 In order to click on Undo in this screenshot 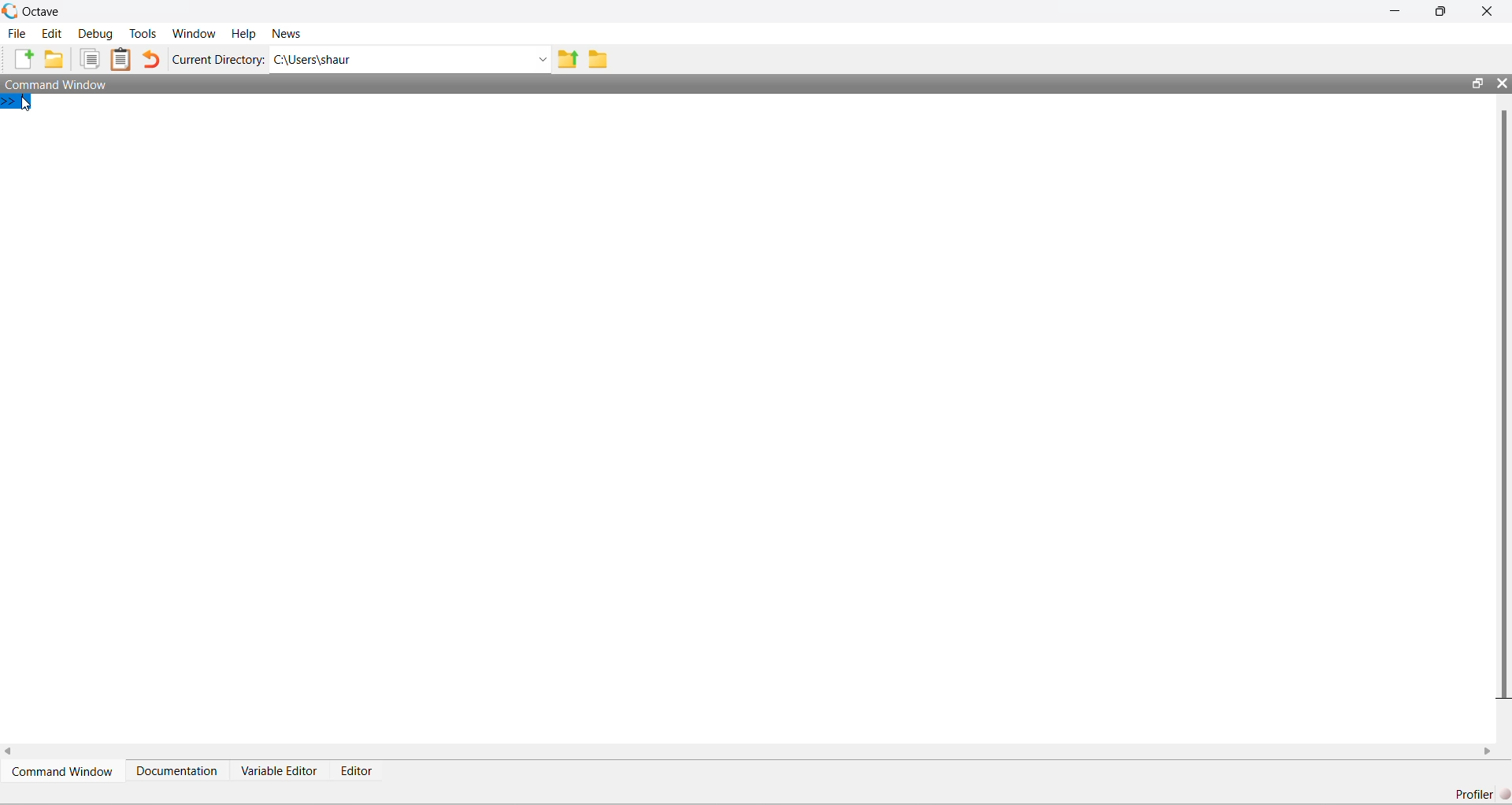, I will do `click(150, 59)`.